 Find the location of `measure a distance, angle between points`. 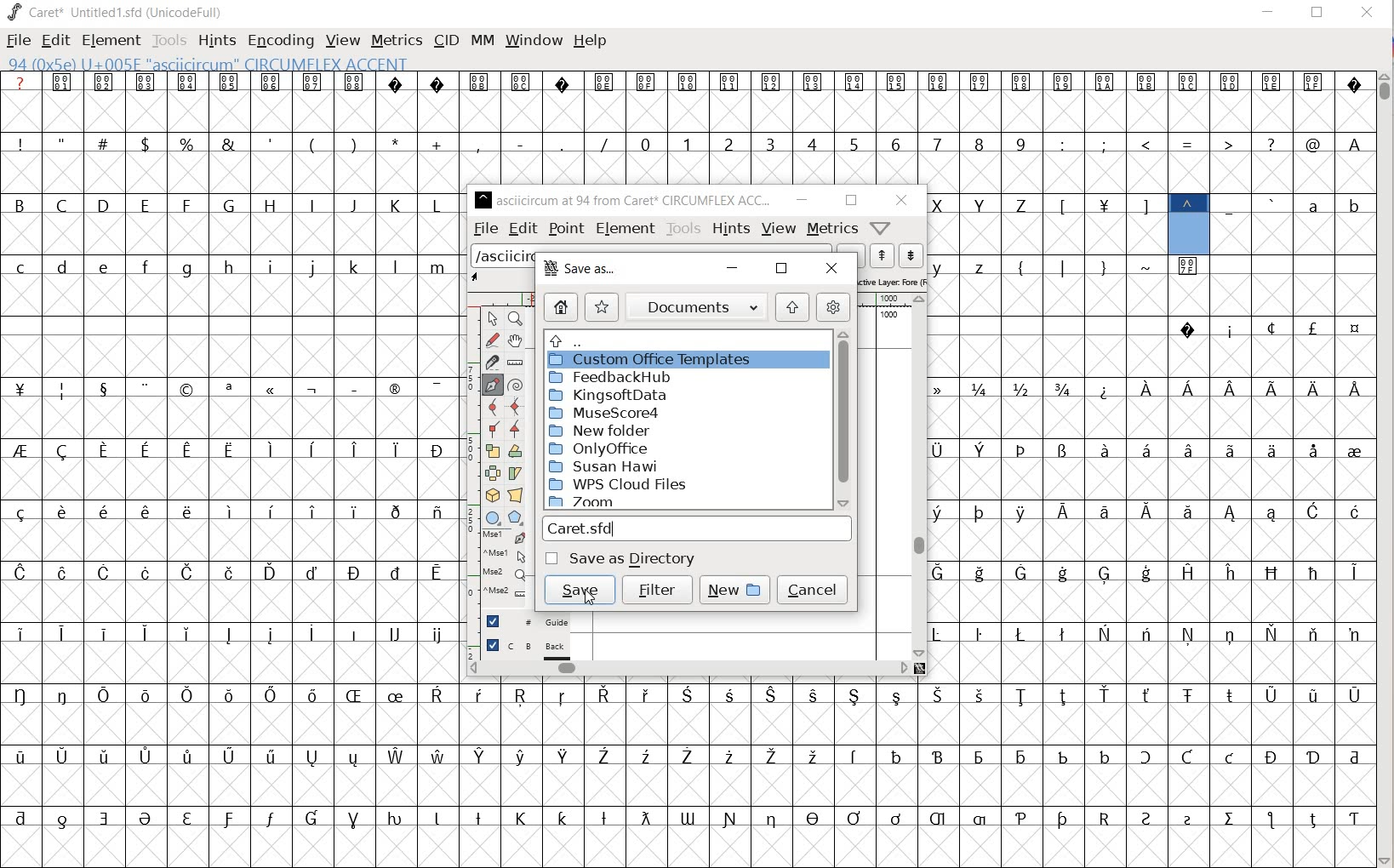

measure a distance, angle between points is located at coordinates (517, 362).